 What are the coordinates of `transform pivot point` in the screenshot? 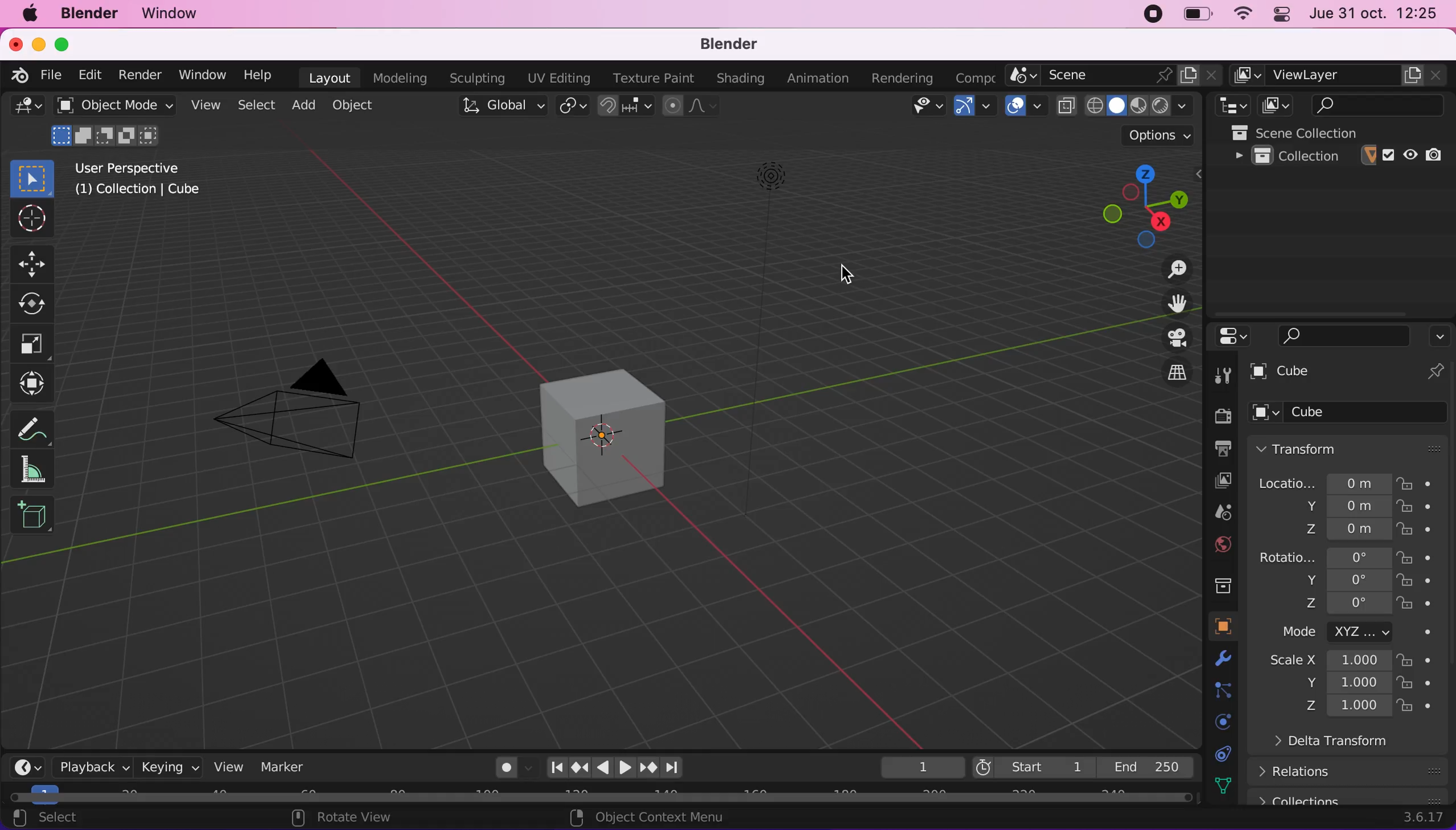 It's located at (570, 107).